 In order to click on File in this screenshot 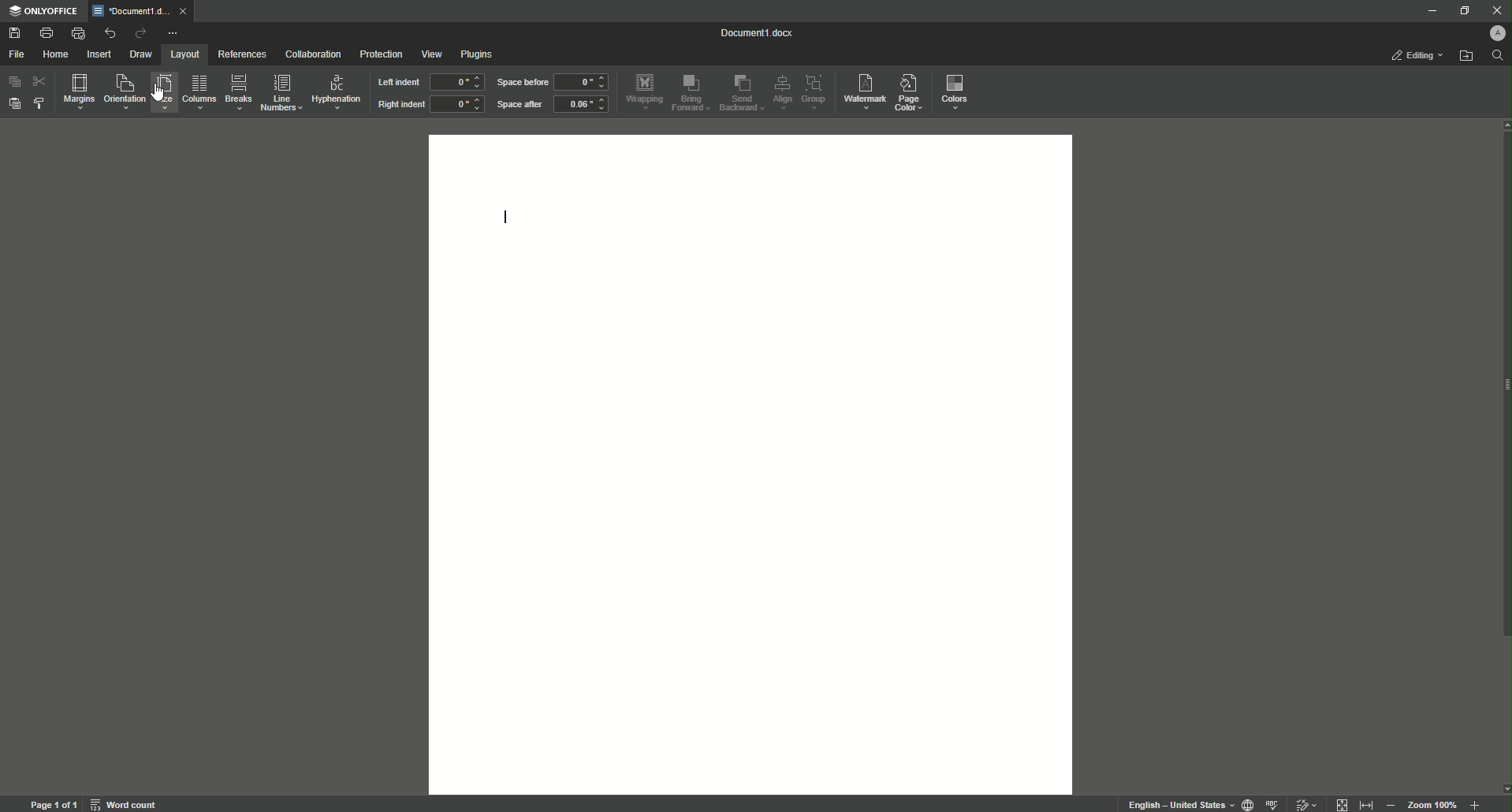, I will do `click(17, 54)`.